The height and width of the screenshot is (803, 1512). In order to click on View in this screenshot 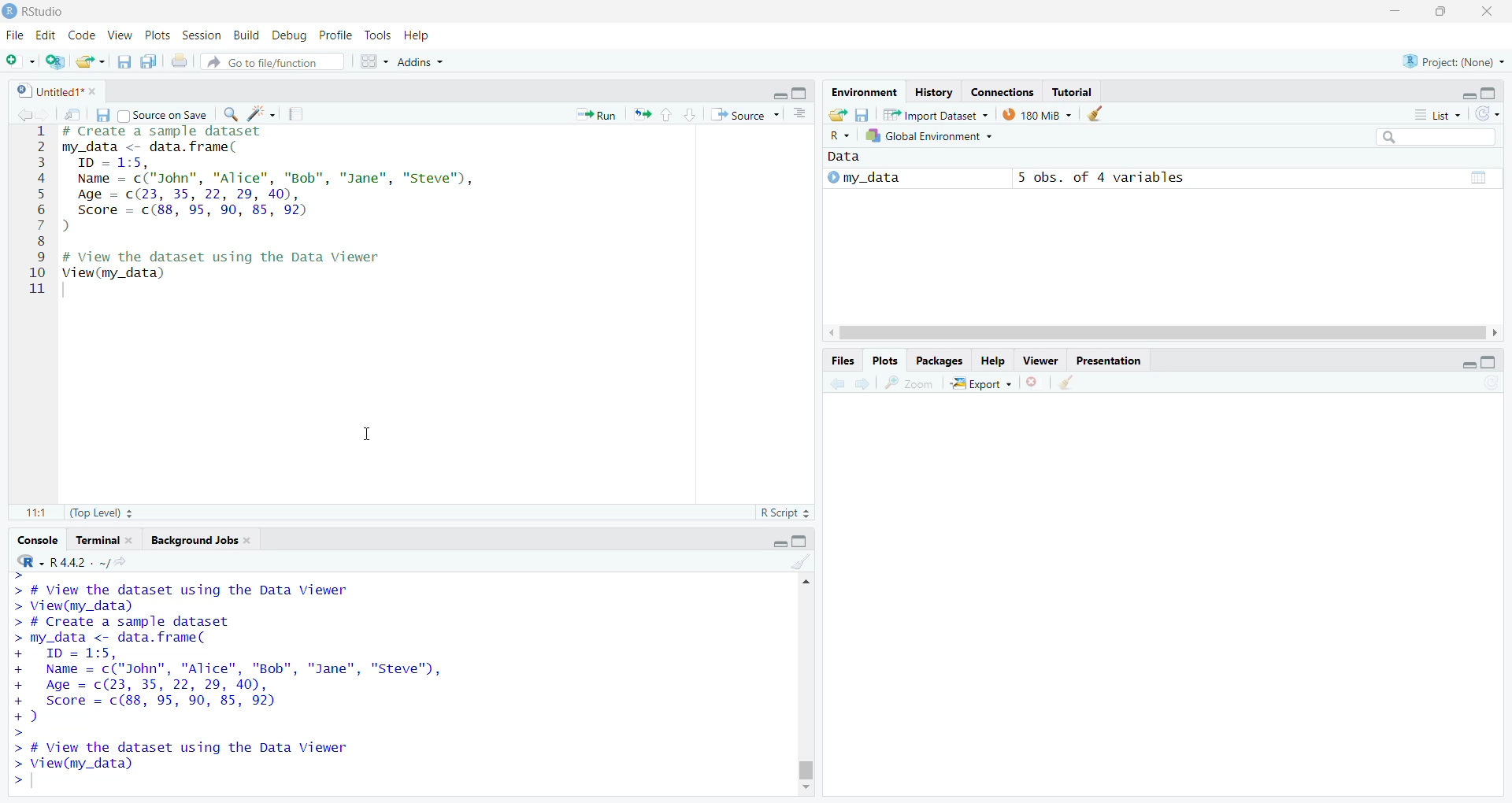, I will do `click(122, 35)`.